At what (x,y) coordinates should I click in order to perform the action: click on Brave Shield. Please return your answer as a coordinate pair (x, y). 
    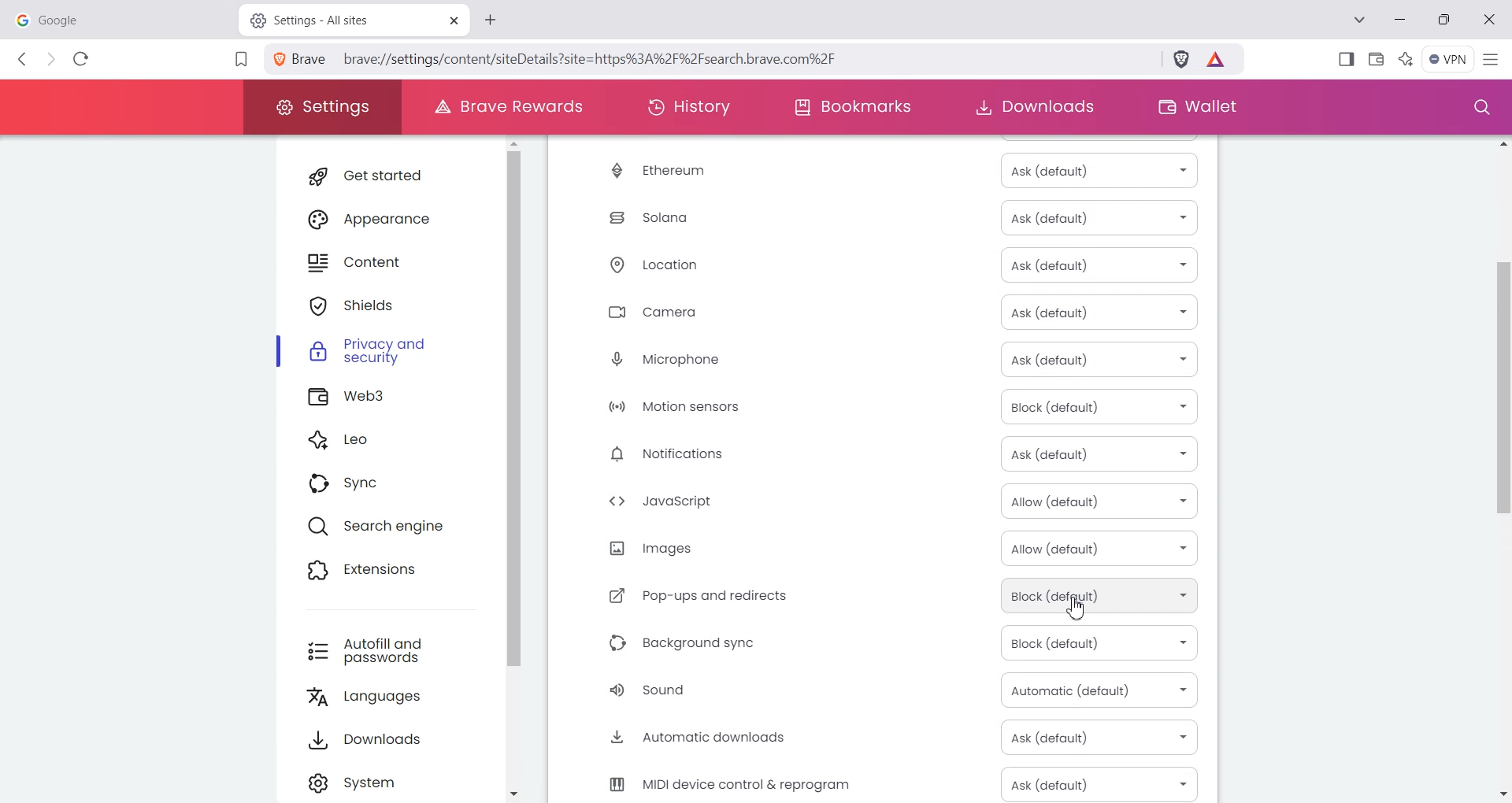
    Looking at the image, I should click on (1181, 61).